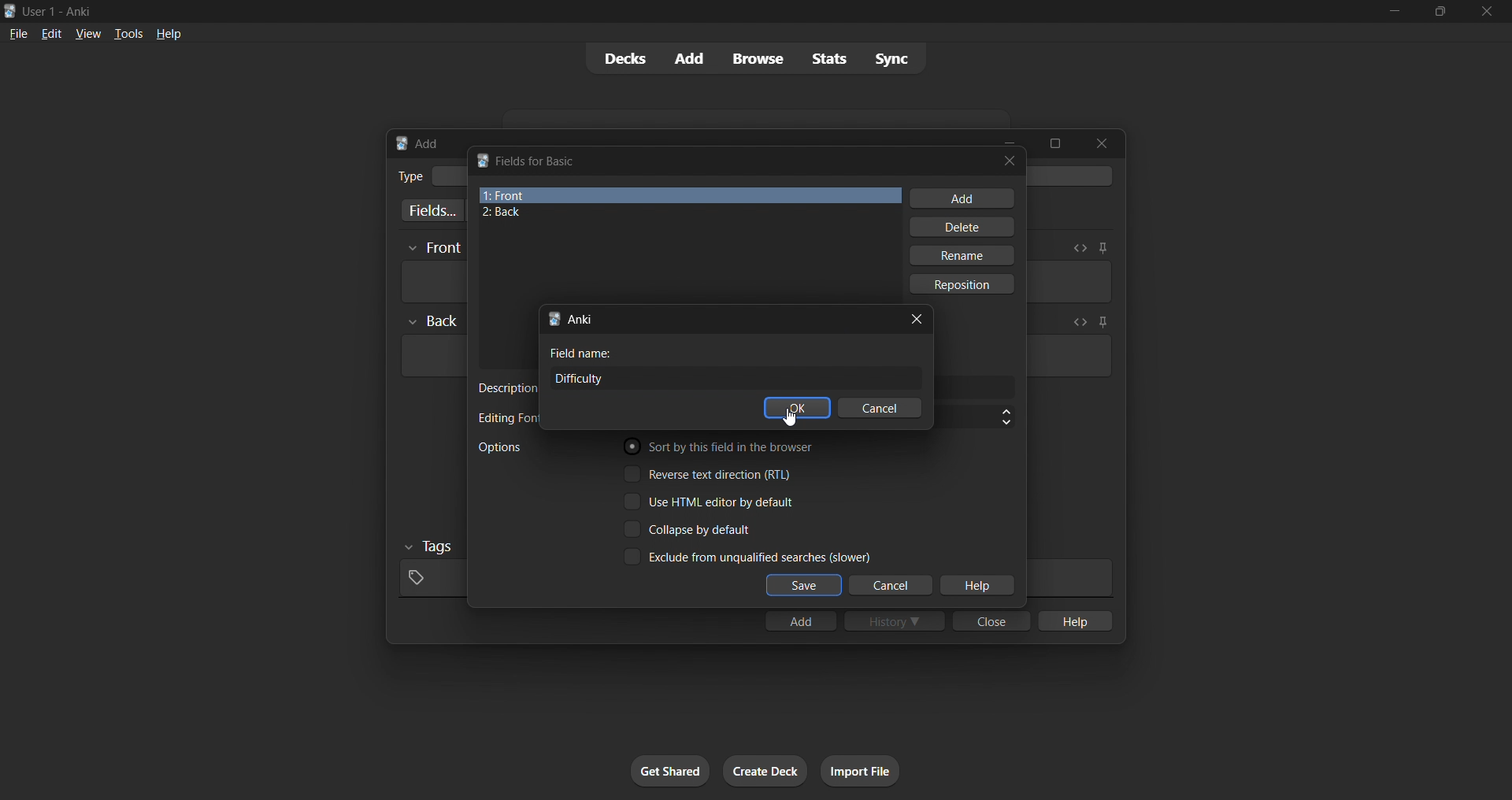  I want to click on Anki logo, so click(554, 319).